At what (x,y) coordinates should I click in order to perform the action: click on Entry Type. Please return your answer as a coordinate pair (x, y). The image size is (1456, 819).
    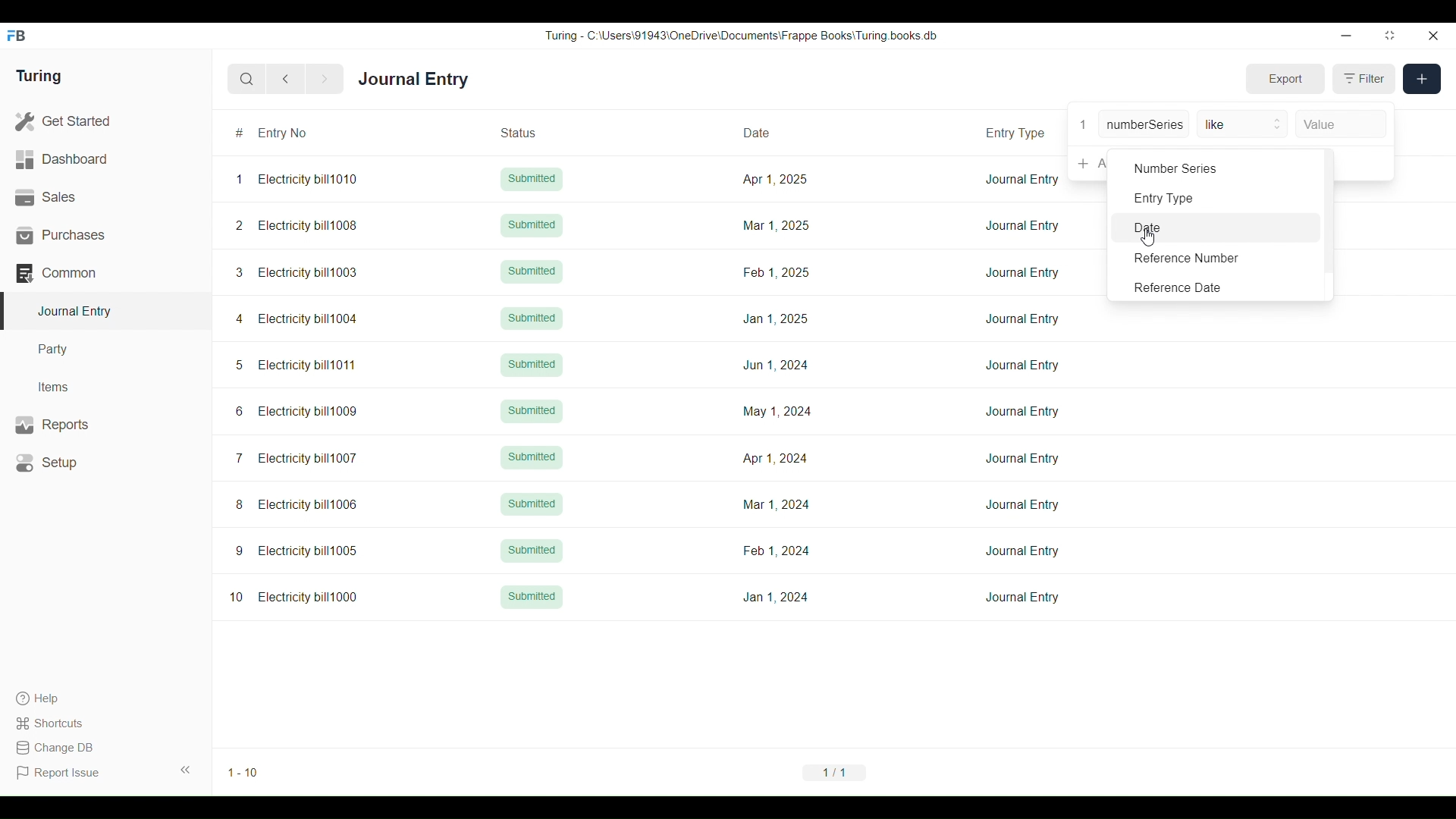
    Looking at the image, I should click on (1216, 197).